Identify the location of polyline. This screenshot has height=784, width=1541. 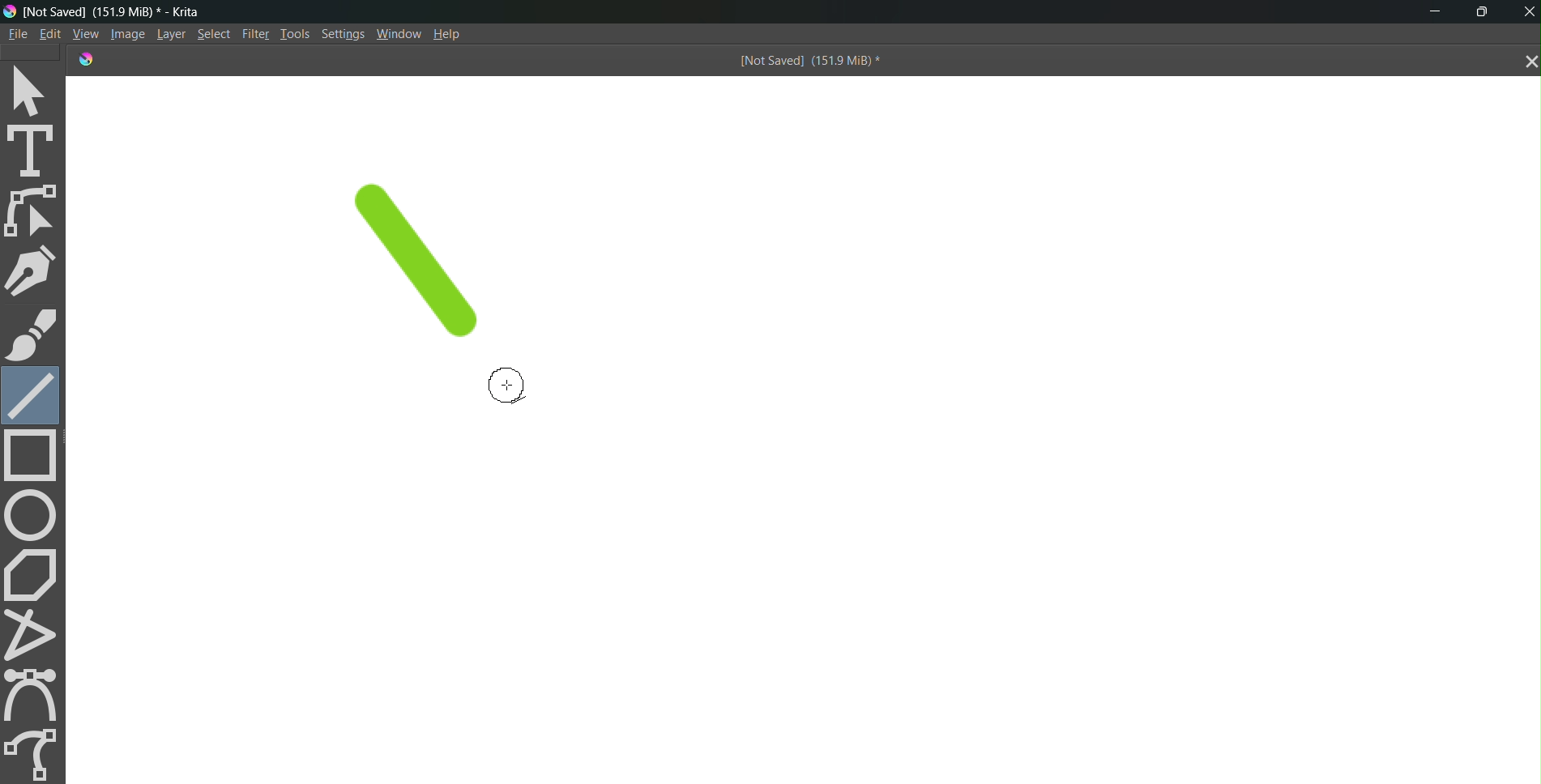
(36, 634).